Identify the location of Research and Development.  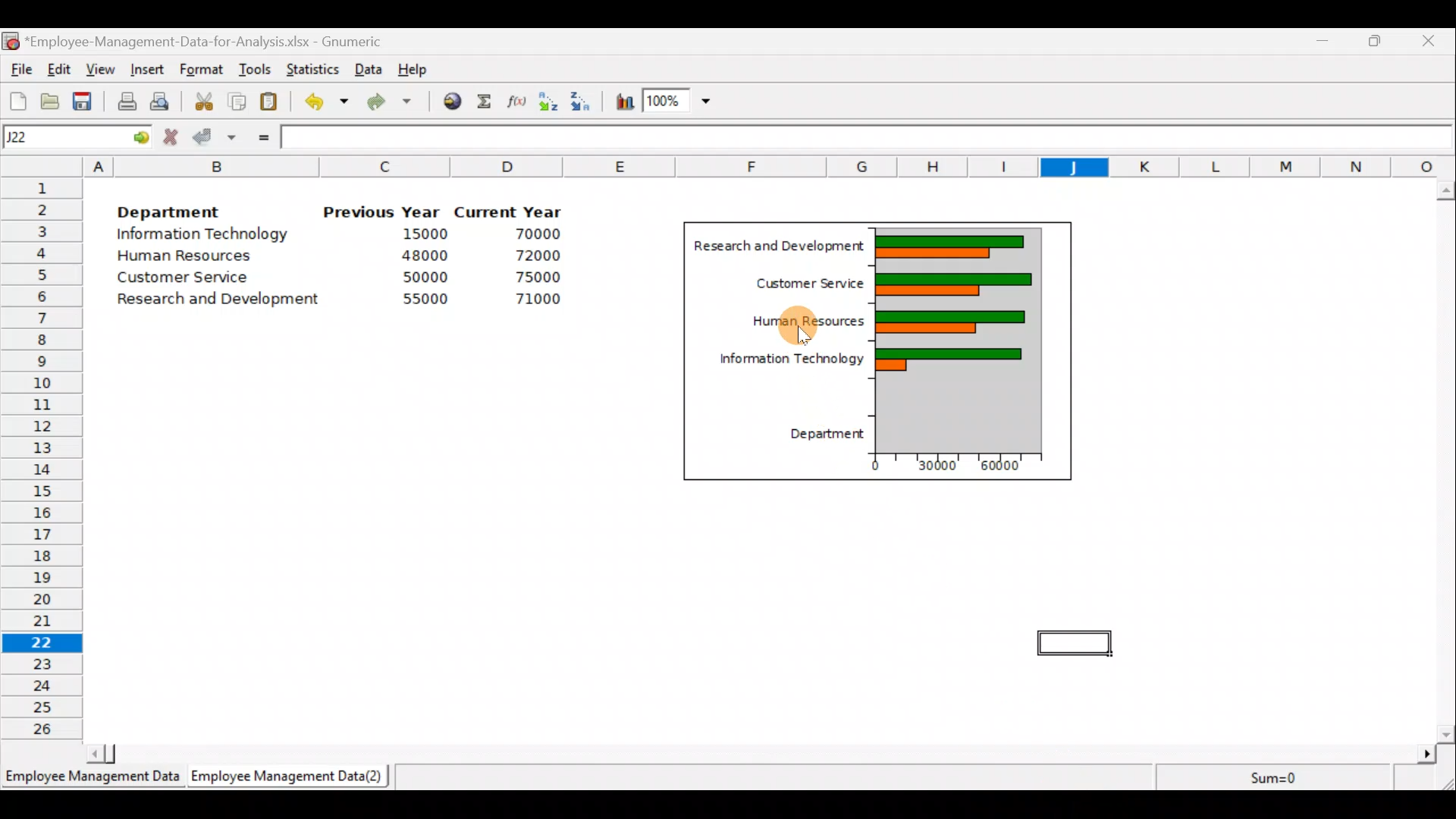
(775, 249).